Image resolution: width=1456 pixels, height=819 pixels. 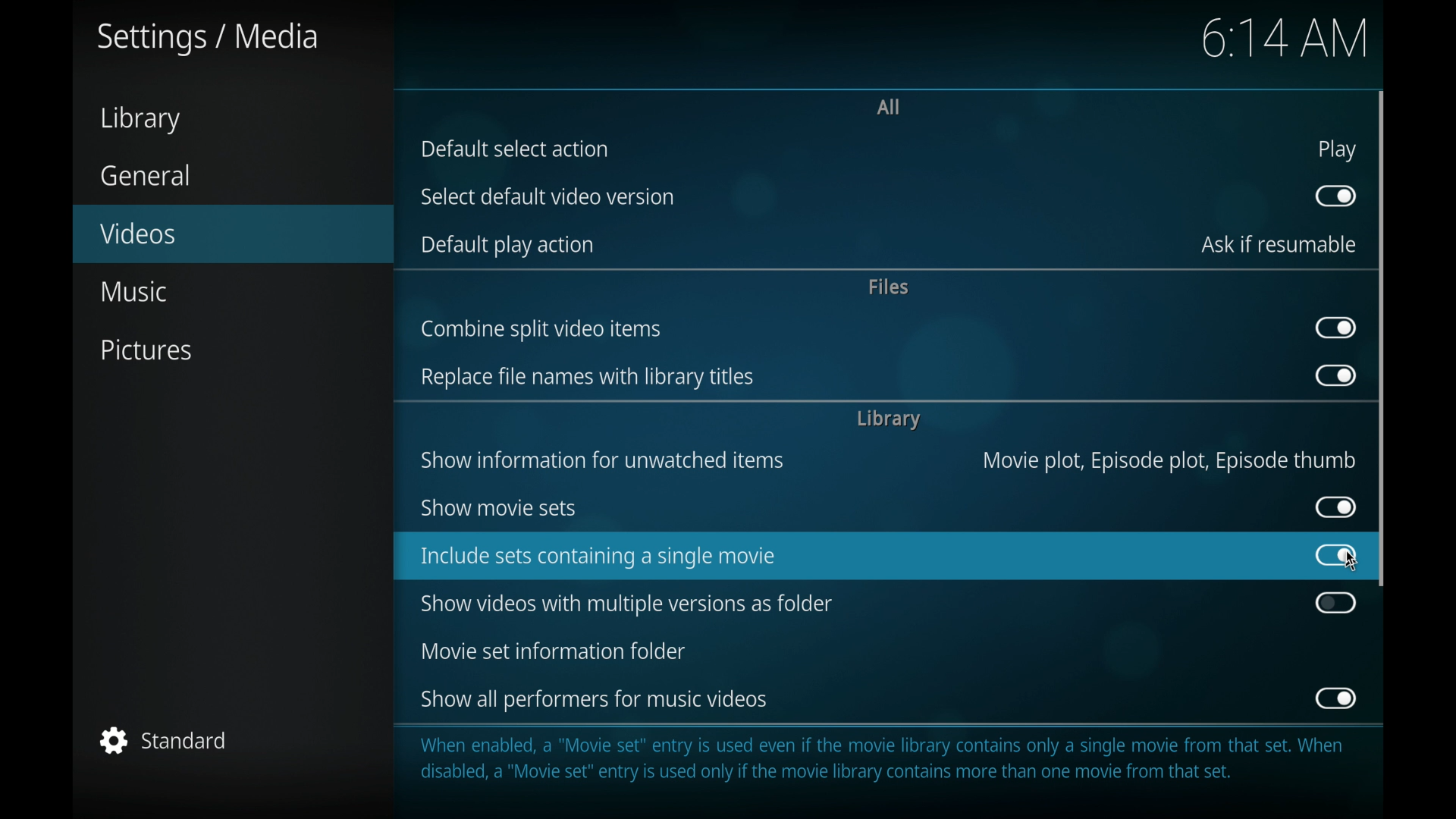 What do you see at coordinates (1335, 376) in the screenshot?
I see `toggle button` at bounding box center [1335, 376].